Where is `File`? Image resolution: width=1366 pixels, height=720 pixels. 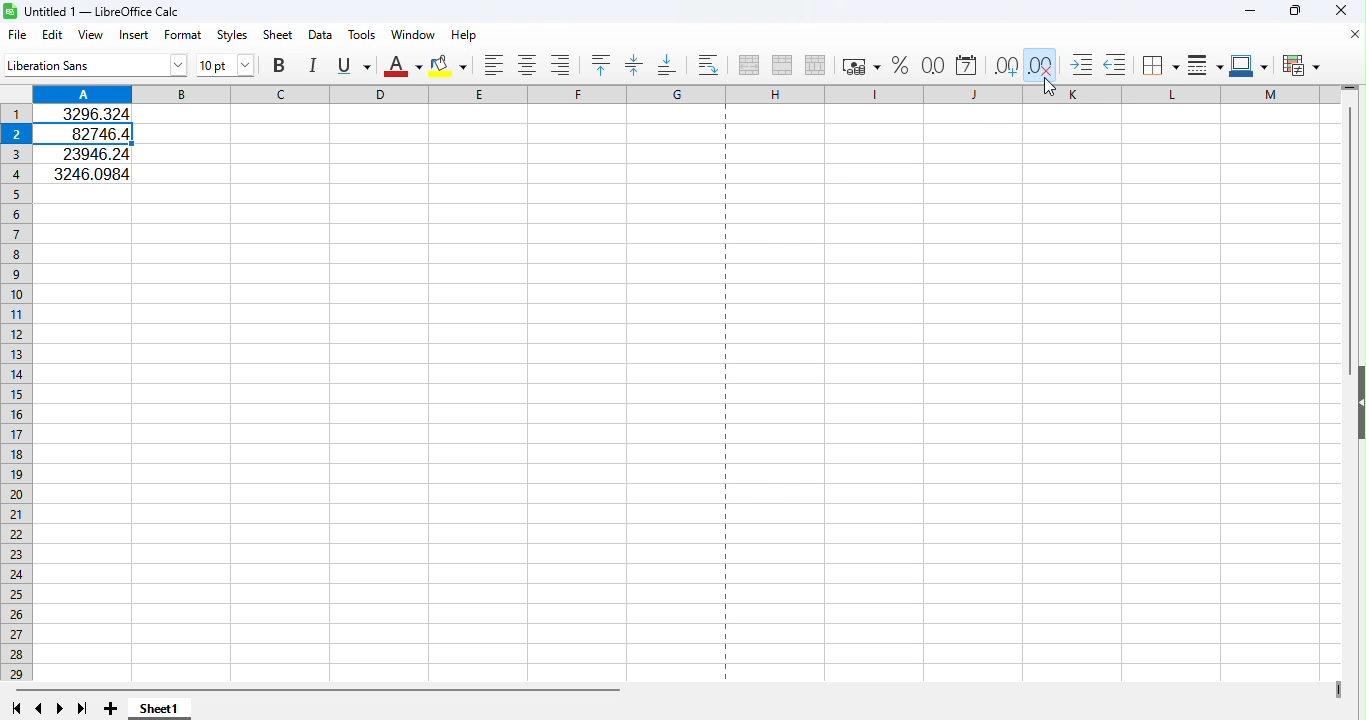 File is located at coordinates (17, 34).